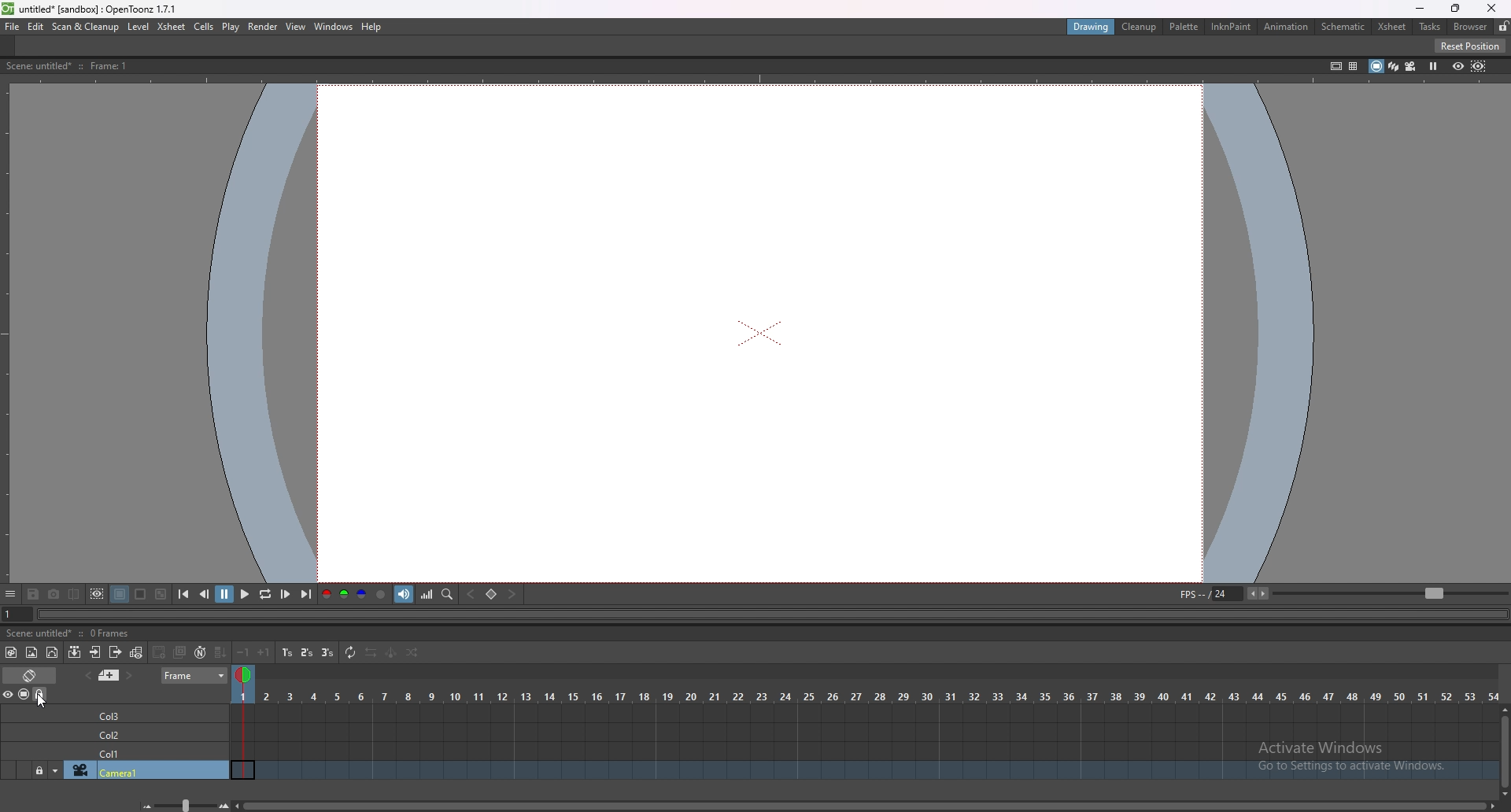 The height and width of the screenshot is (812, 1511). Describe the element at coordinates (1232, 27) in the screenshot. I see `inknpaint` at that location.